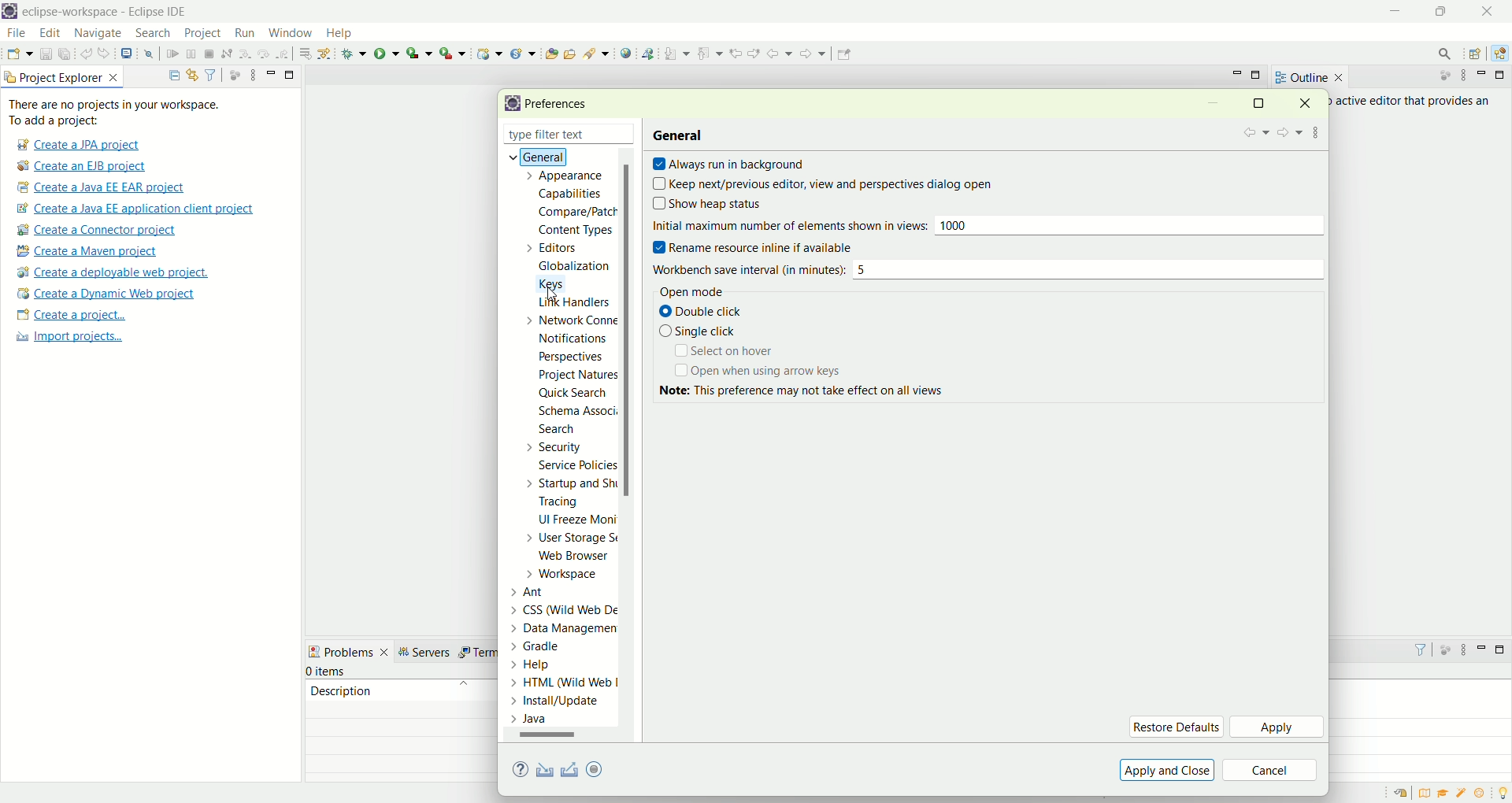 The width and height of the screenshot is (1512, 803). What do you see at coordinates (1445, 11) in the screenshot?
I see `maximize` at bounding box center [1445, 11].